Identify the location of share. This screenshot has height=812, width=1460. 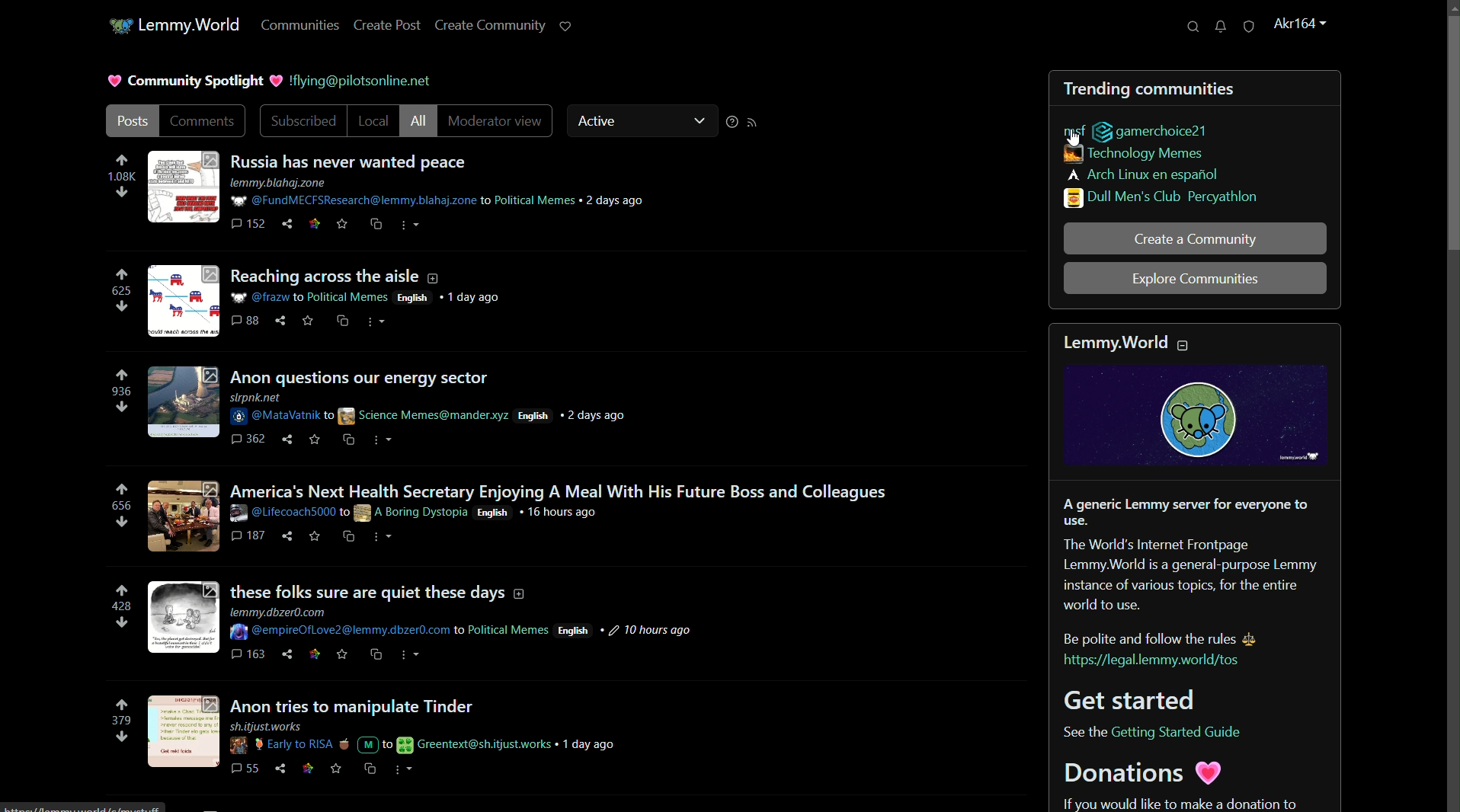
(284, 436).